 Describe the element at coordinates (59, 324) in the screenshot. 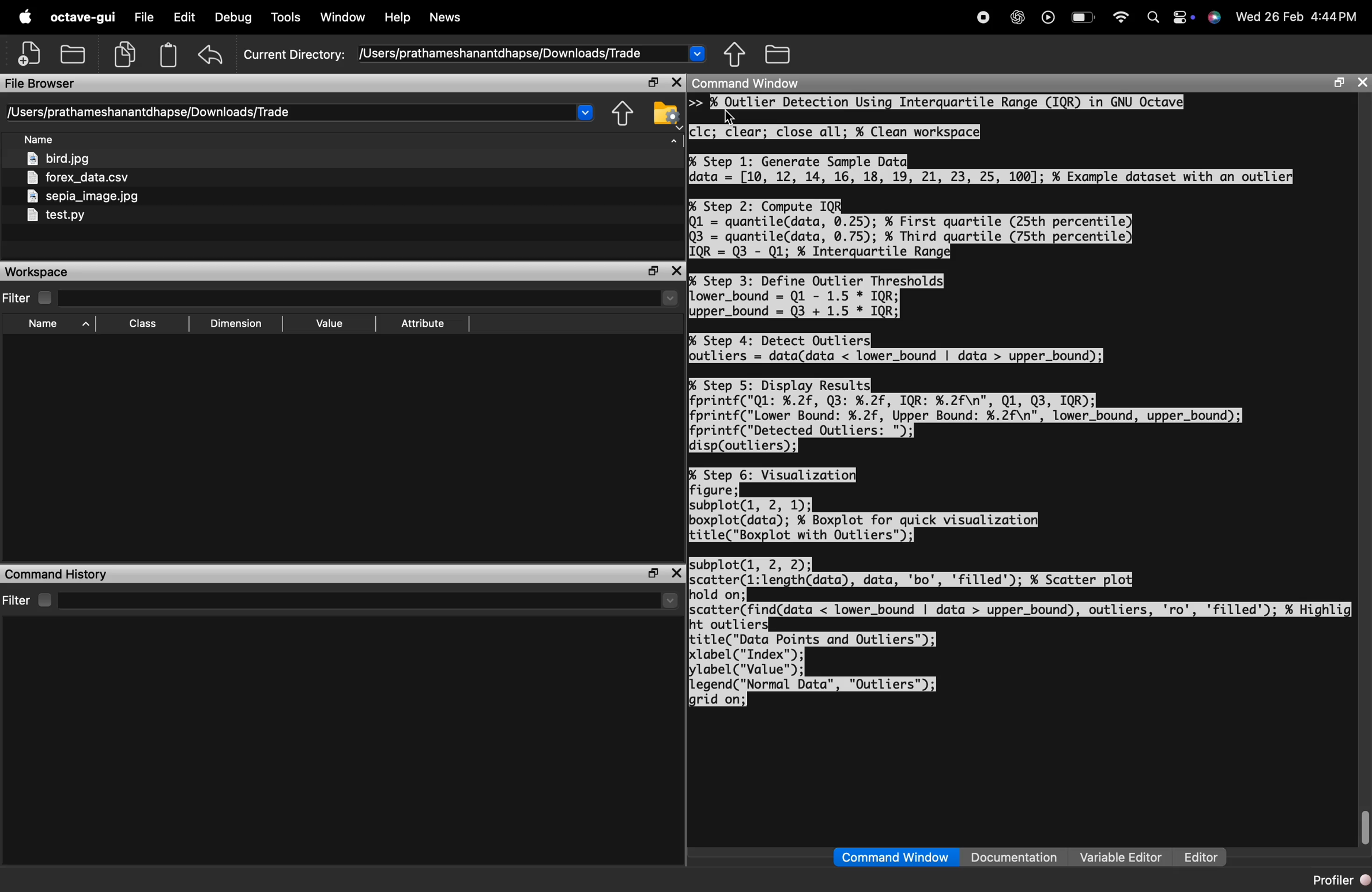

I see `Name ^` at that location.